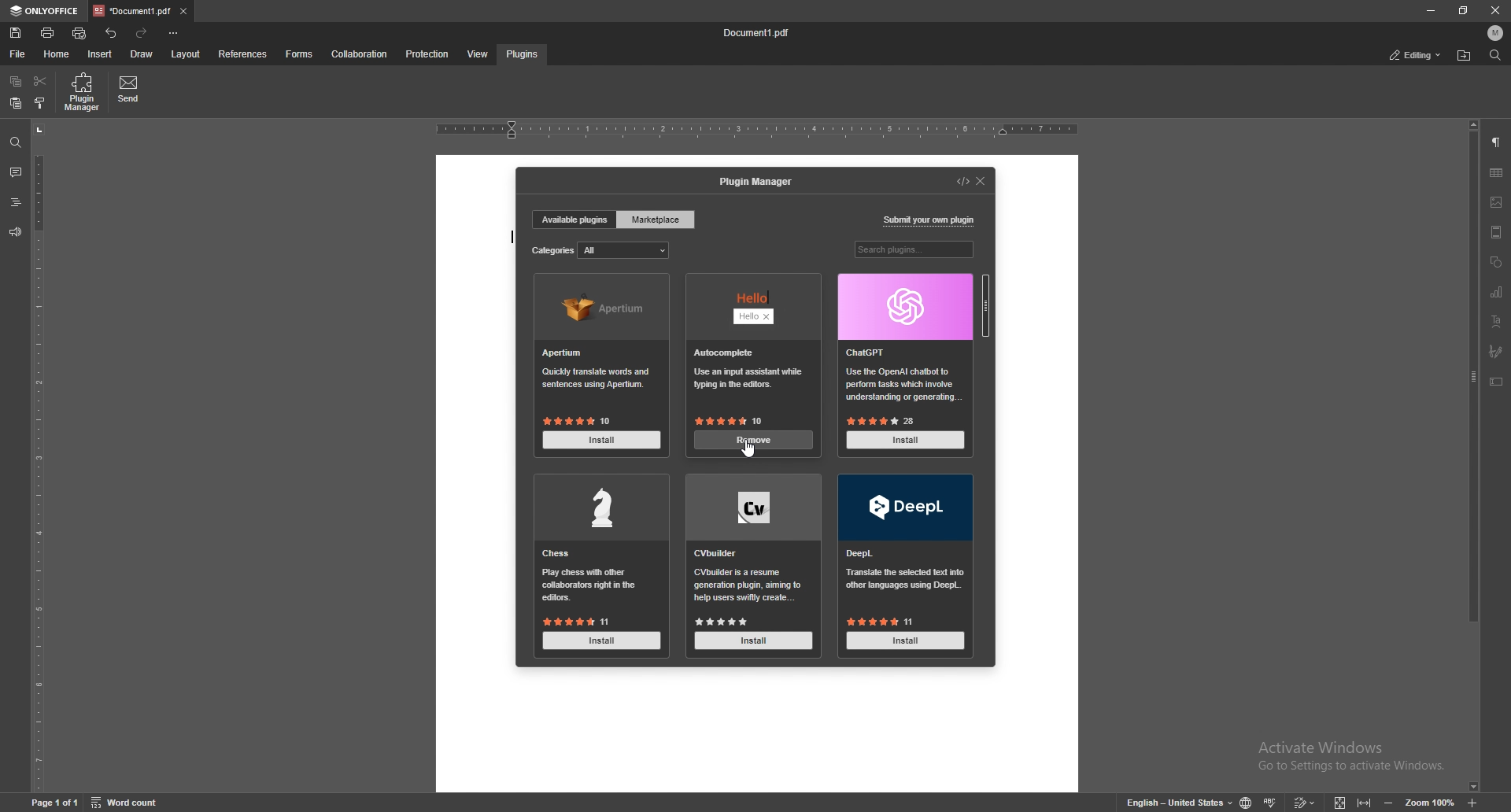 The width and height of the screenshot is (1511, 812). Describe the element at coordinates (757, 129) in the screenshot. I see `horizontal rule` at that location.